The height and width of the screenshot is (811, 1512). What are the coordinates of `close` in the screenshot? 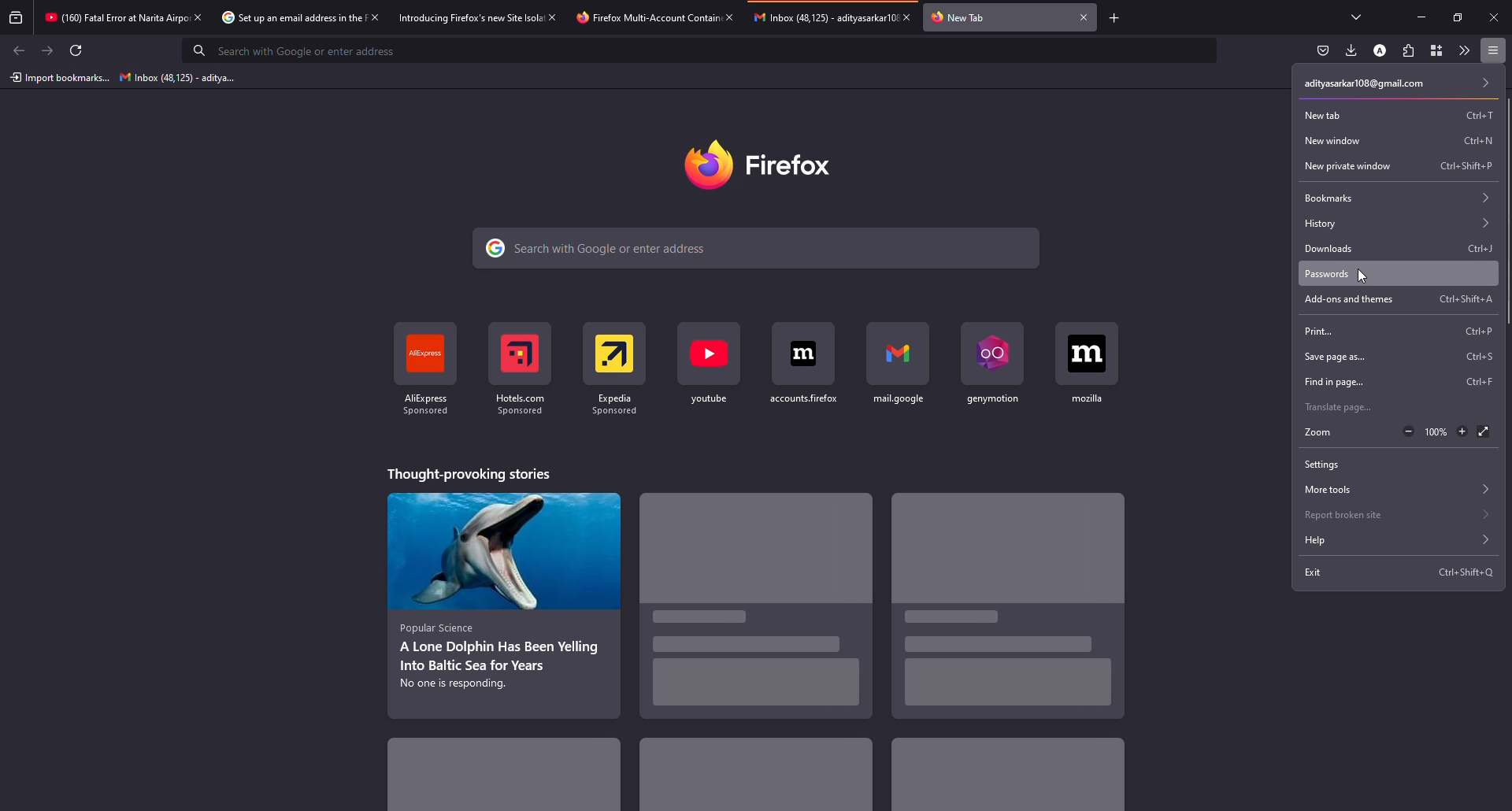 It's located at (912, 17).